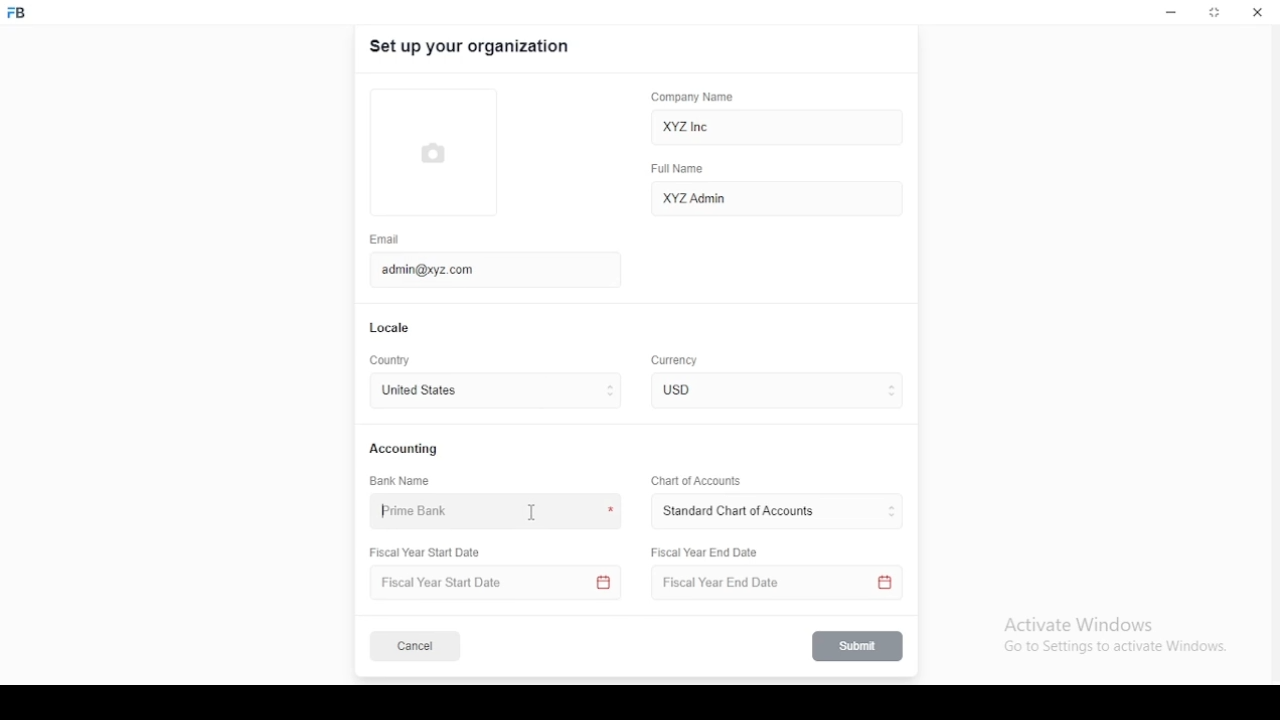 The width and height of the screenshot is (1280, 720). I want to click on Chart of Accounts, so click(693, 480).